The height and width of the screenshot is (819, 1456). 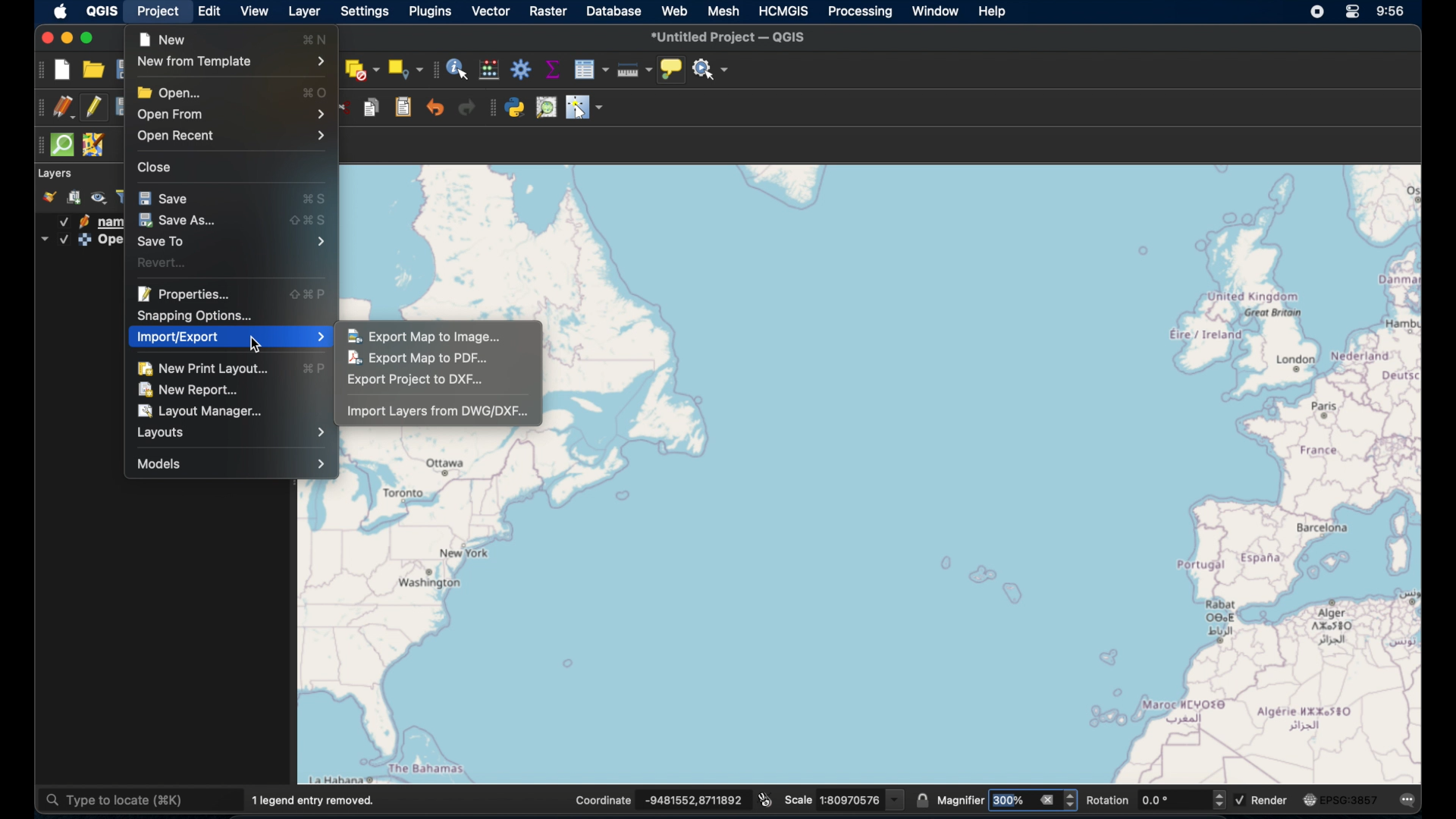 What do you see at coordinates (304, 12) in the screenshot?
I see `layer` at bounding box center [304, 12].